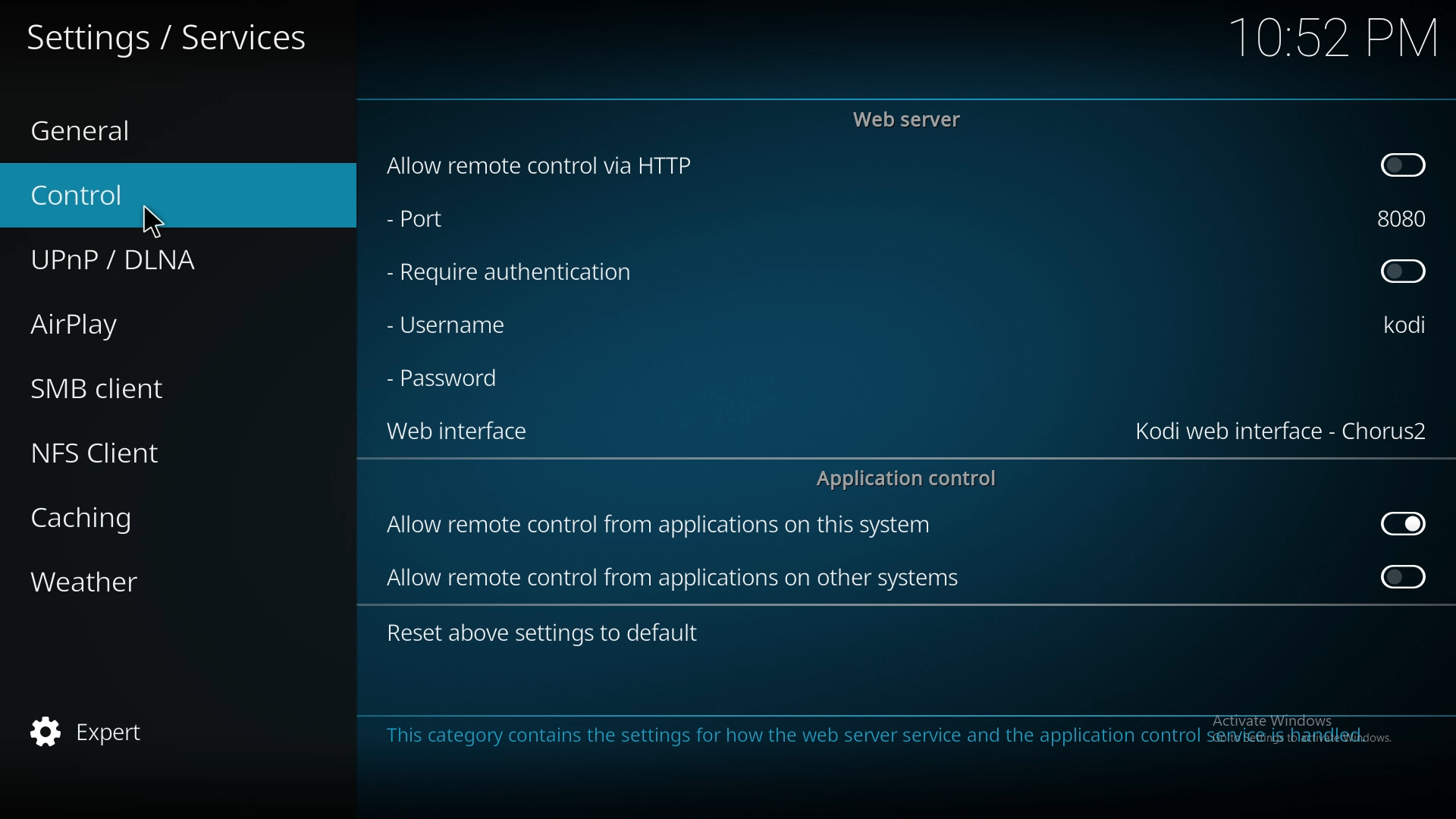 Image resolution: width=1456 pixels, height=819 pixels. Describe the element at coordinates (548, 634) in the screenshot. I see `reset` at that location.